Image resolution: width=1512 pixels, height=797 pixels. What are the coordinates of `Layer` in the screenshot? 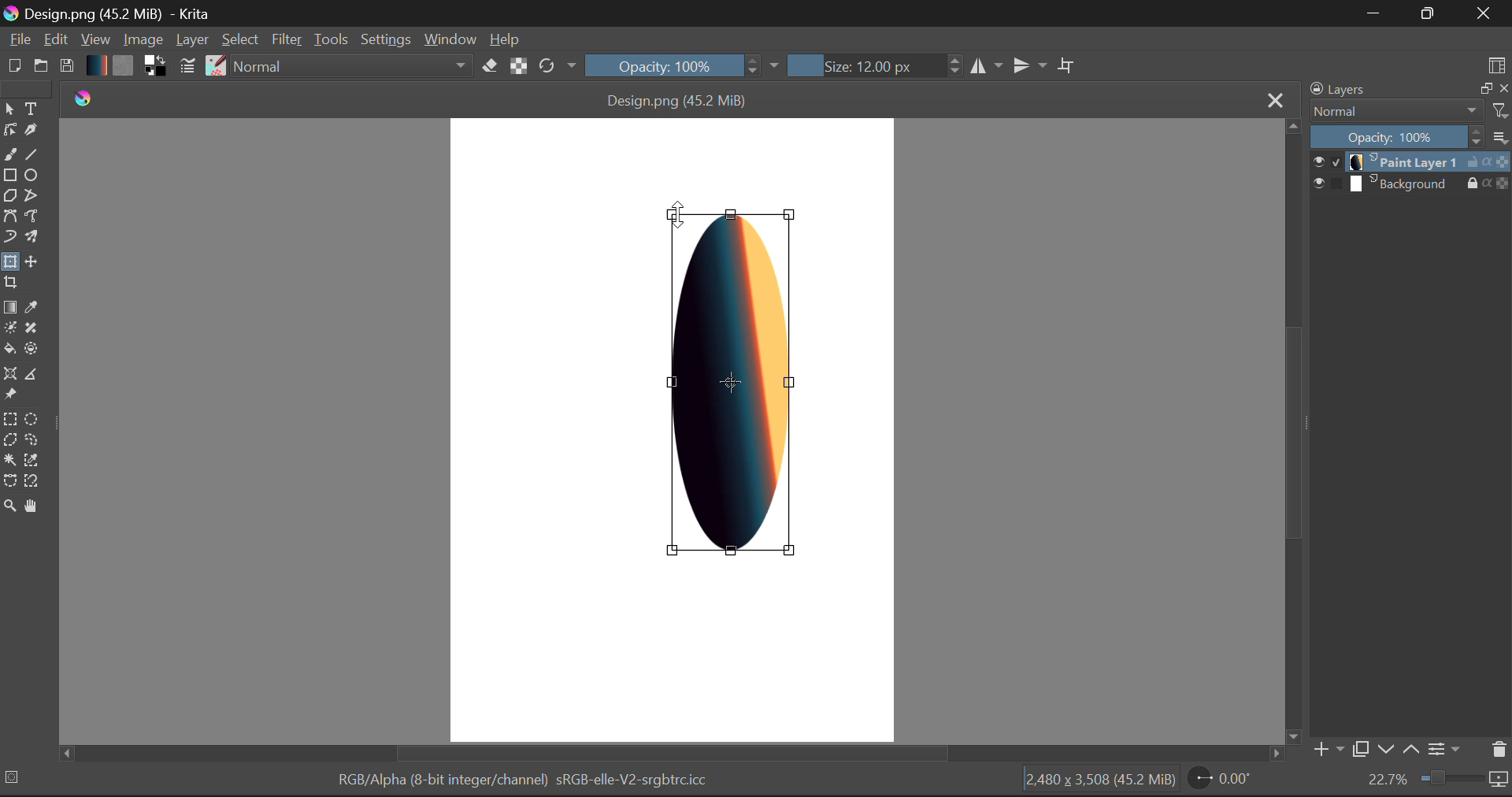 It's located at (192, 41).